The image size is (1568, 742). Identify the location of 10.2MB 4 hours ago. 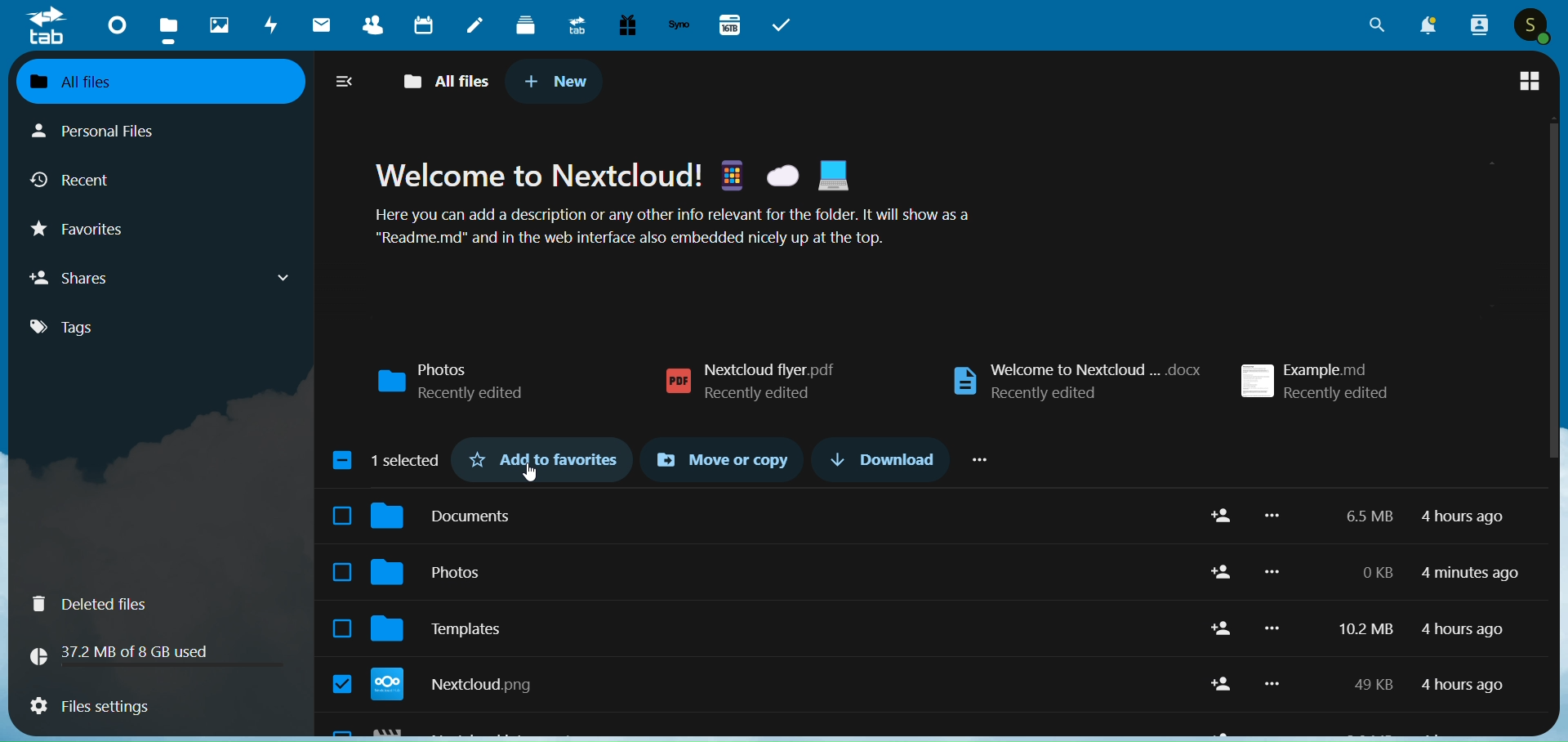
(1422, 629).